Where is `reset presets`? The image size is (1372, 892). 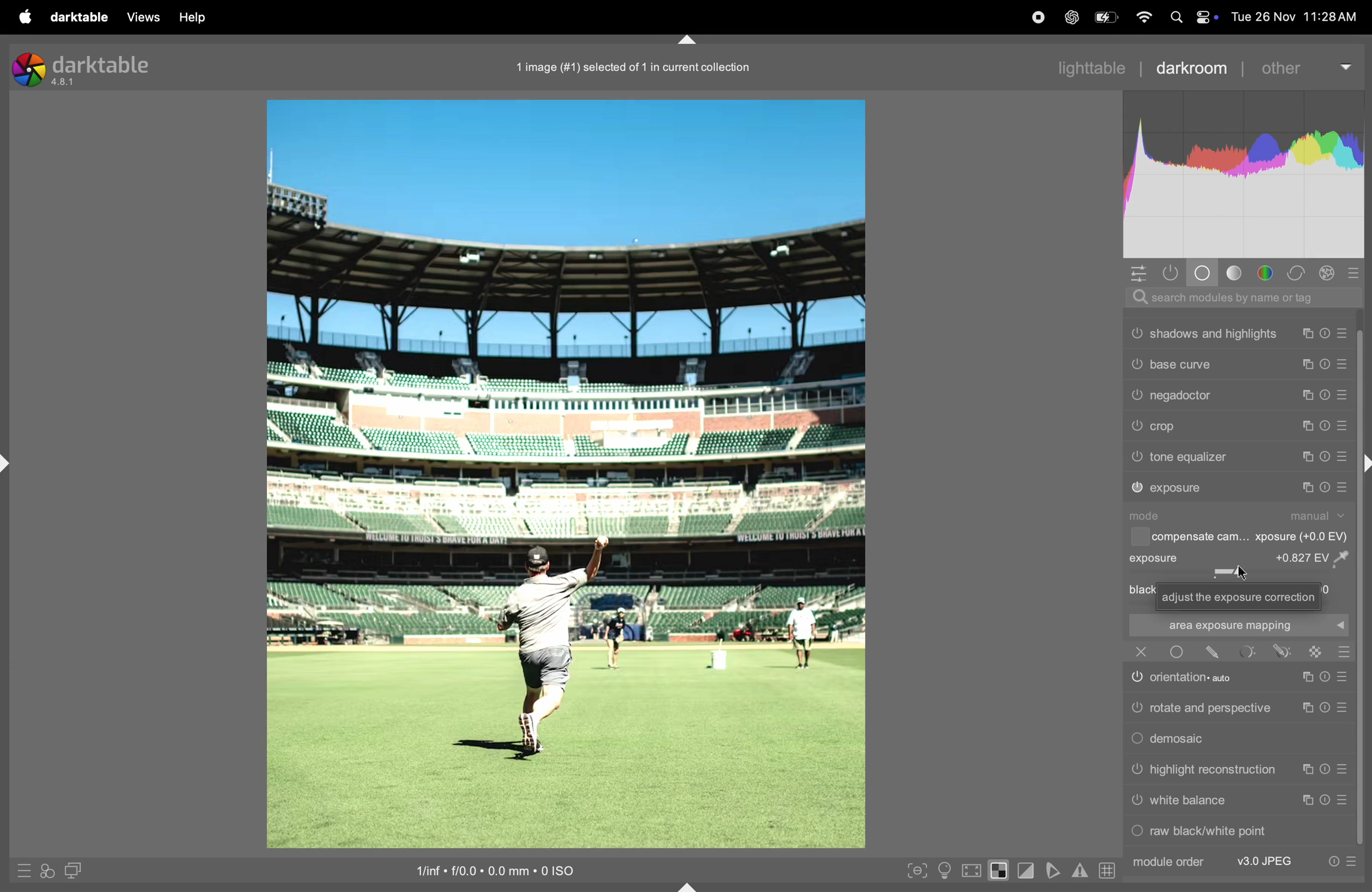 reset presets is located at coordinates (1327, 334).